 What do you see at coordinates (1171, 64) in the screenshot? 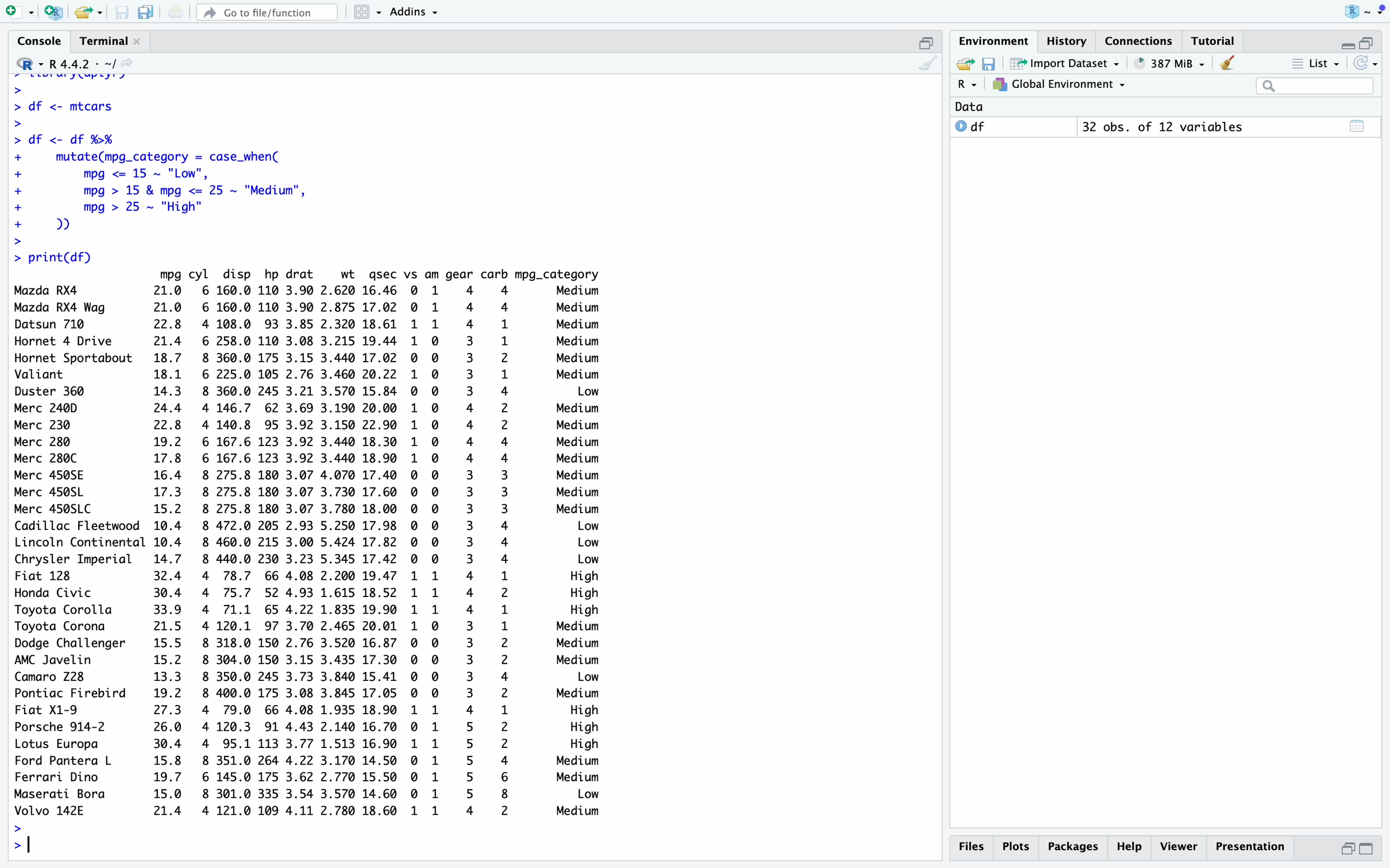
I see `396MiB` at bounding box center [1171, 64].